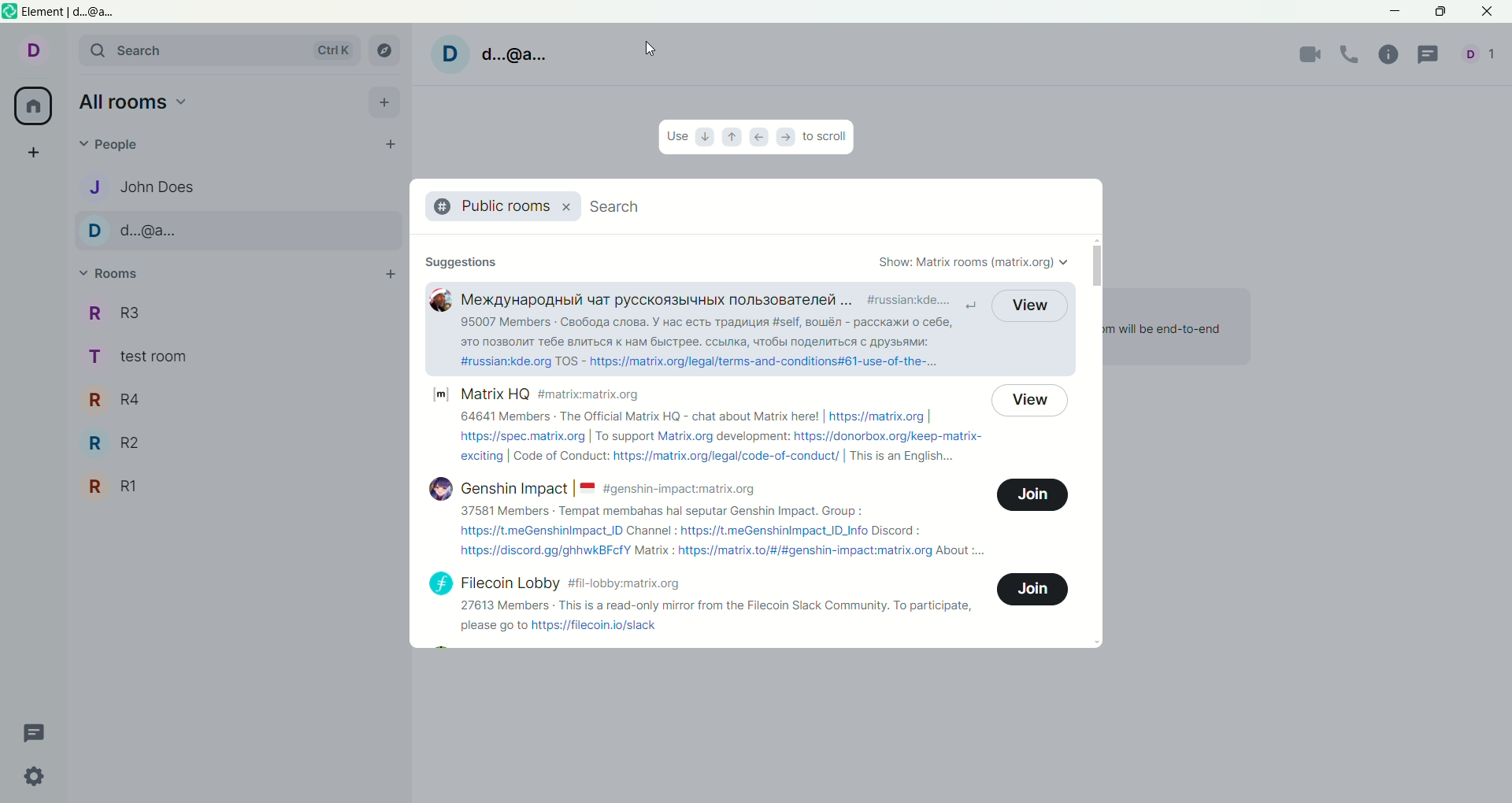  I want to click on Matrix HQ room picture, so click(441, 394).